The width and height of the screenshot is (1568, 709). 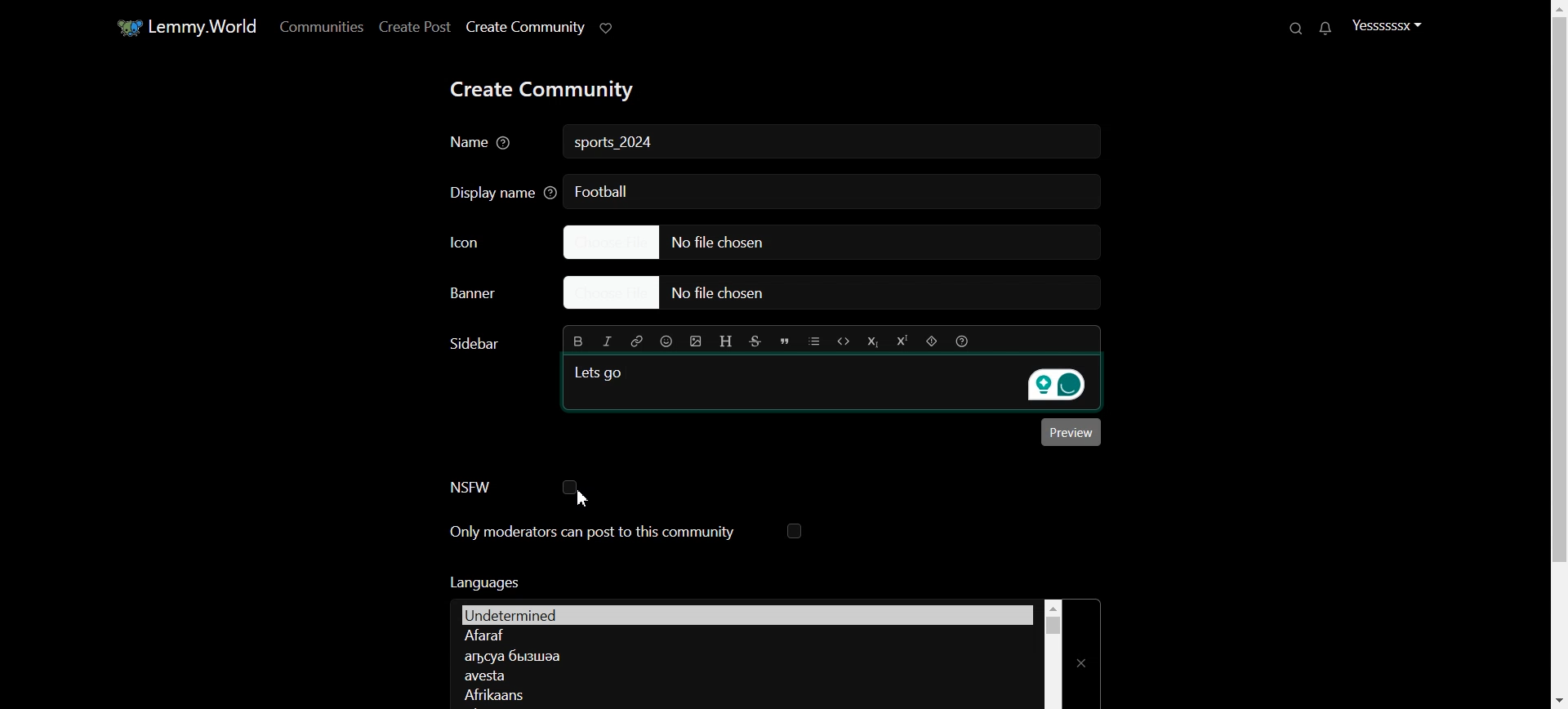 I want to click on Language, so click(x=744, y=636).